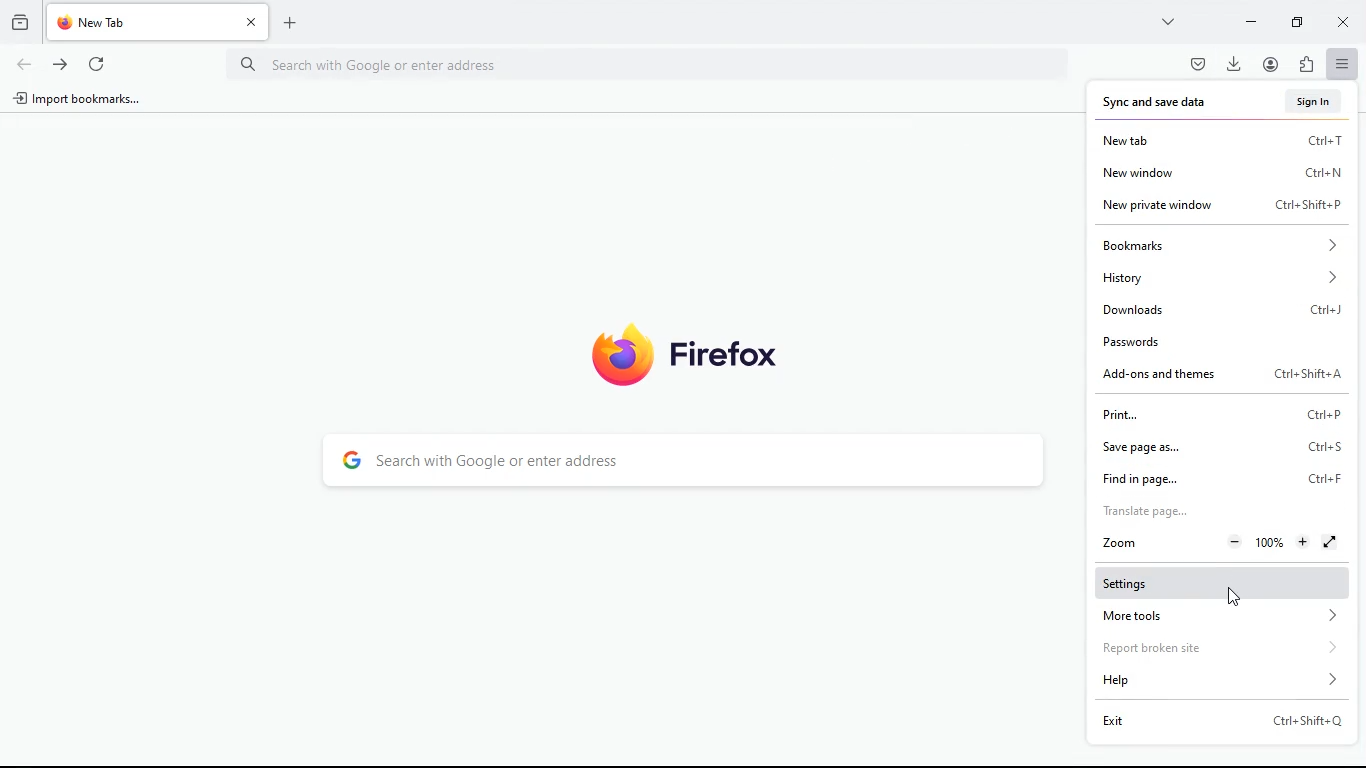 The image size is (1366, 768). Describe the element at coordinates (1223, 477) in the screenshot. I see `find in page` at that location.